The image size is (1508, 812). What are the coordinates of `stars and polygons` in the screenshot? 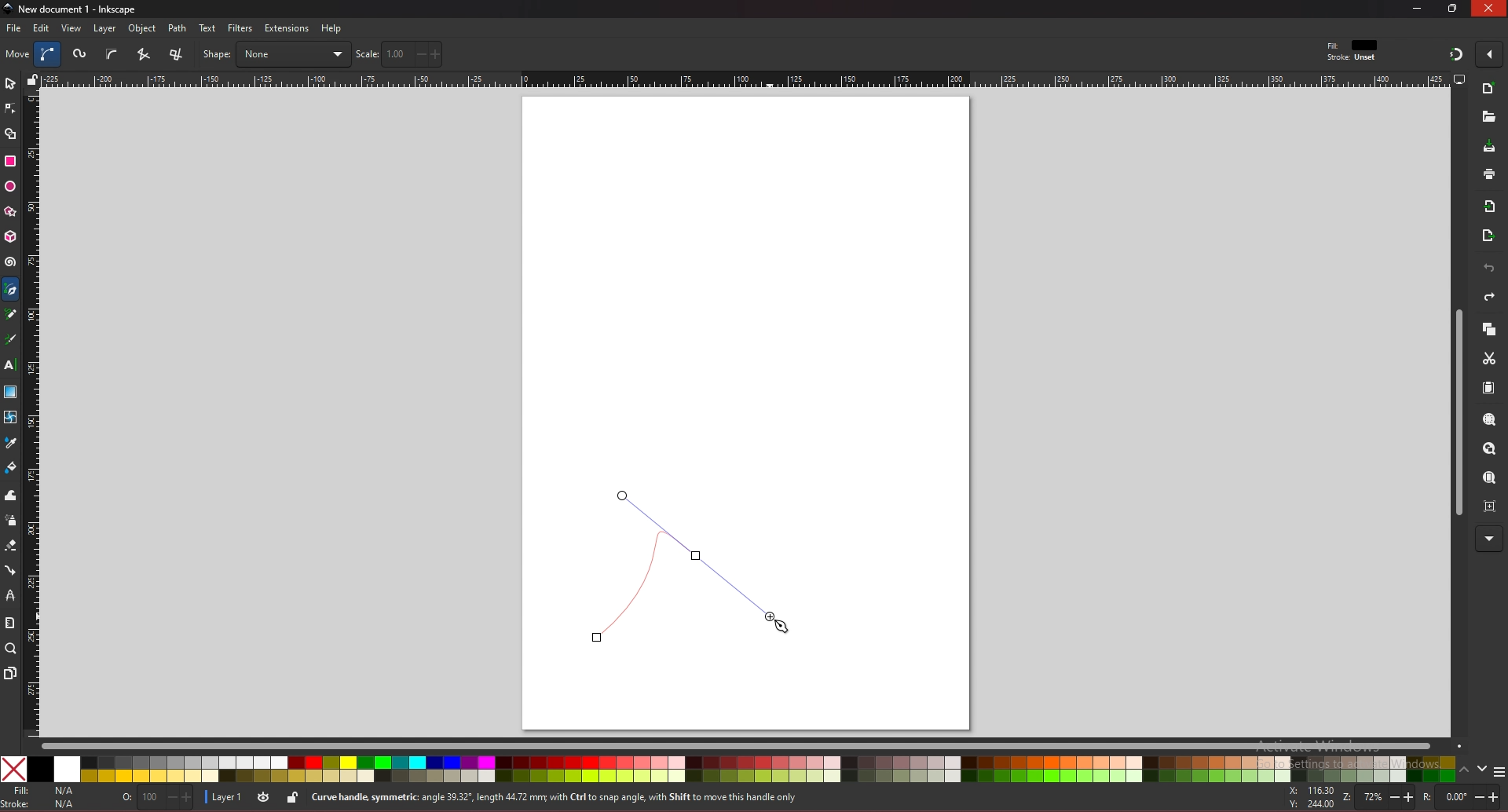 It's located at (11, 212).